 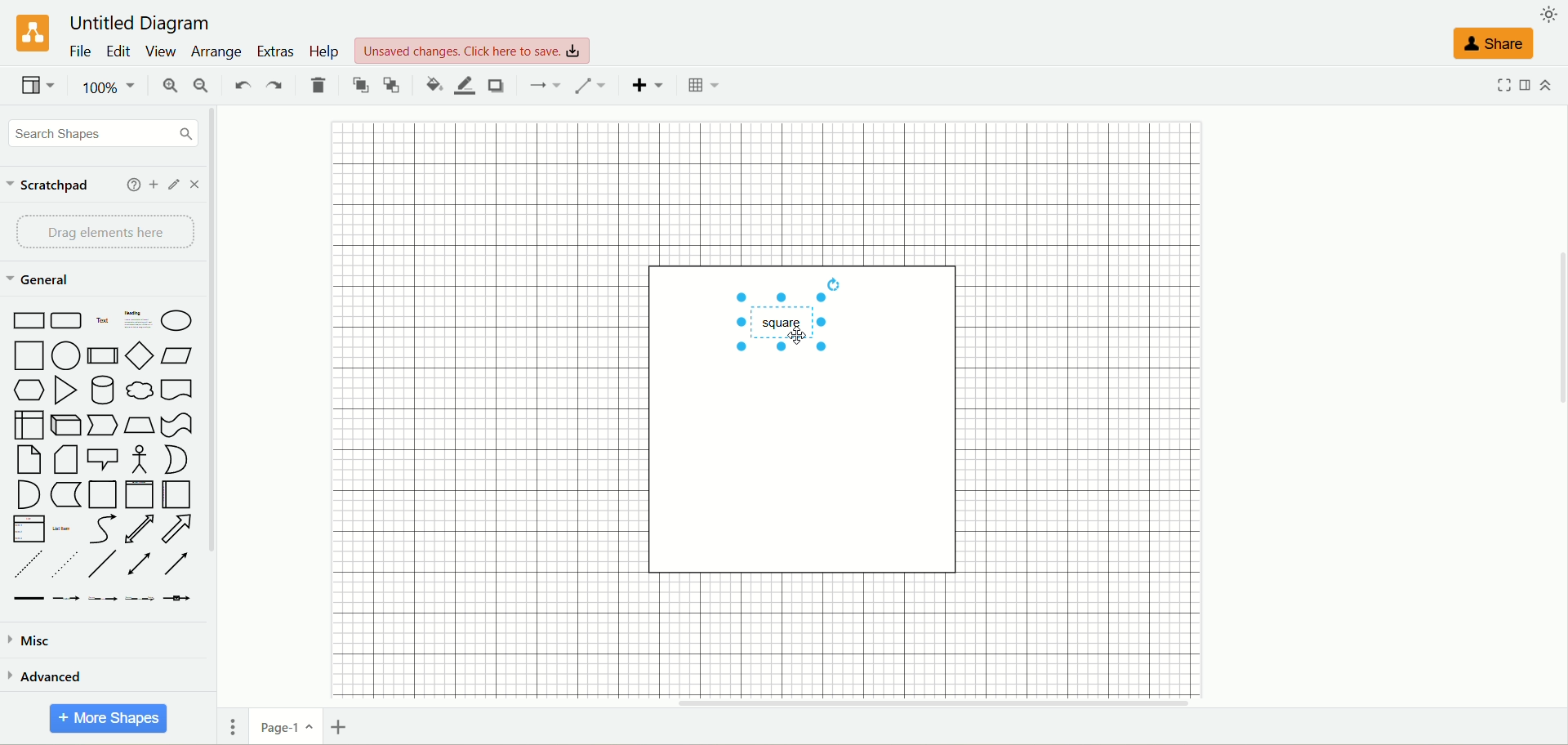 What do you see at coordinates (596, 85) in the screenshot?
I see `waypoints` at bounding box center [596, 85].